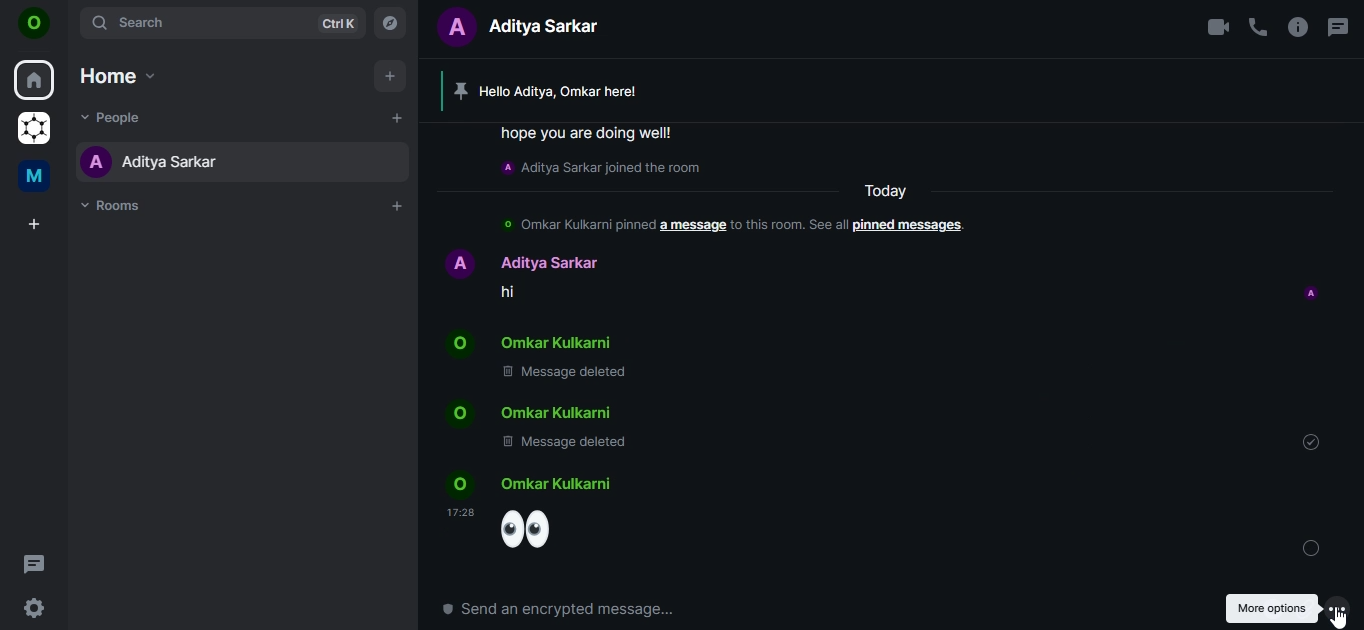 The width and height of the screenshot is (1364, 630). Describe the element at coordinates (1337, 22) in the screenshot. I see `threads` at that location.